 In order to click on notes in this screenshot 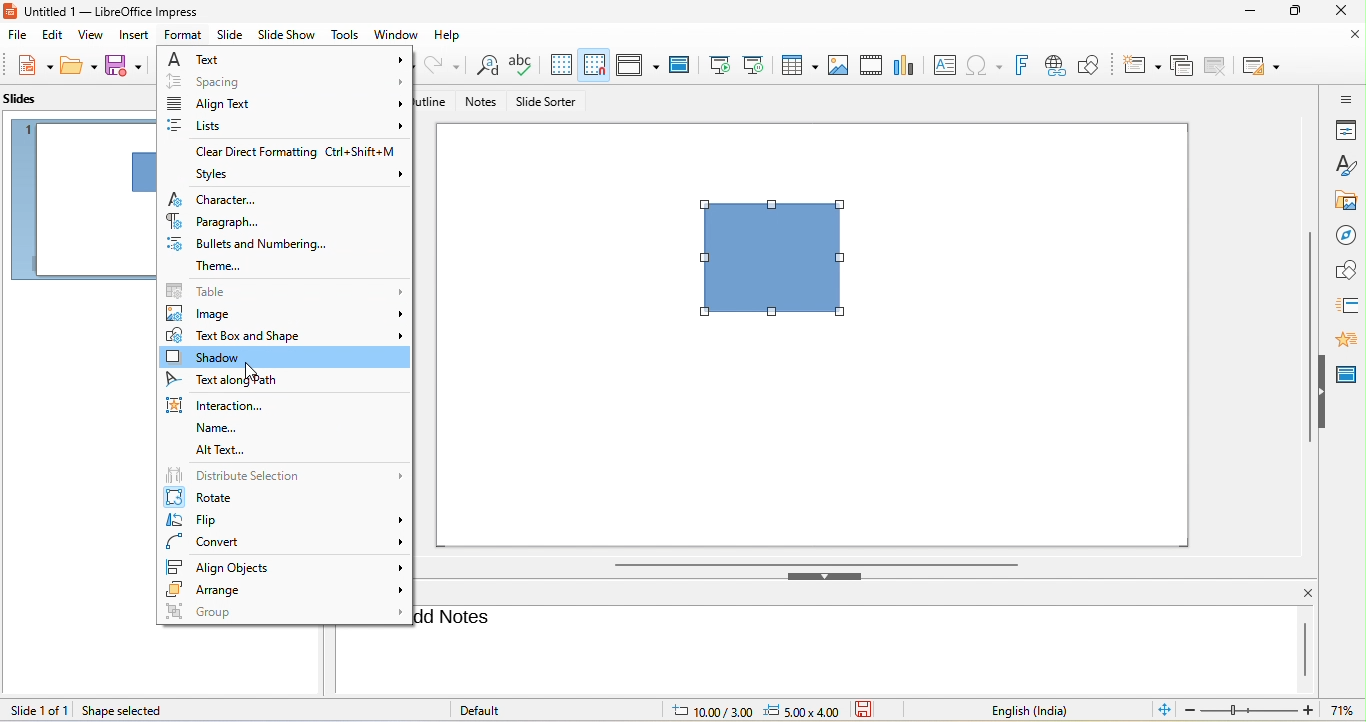, I will do `click(482, 103)`.